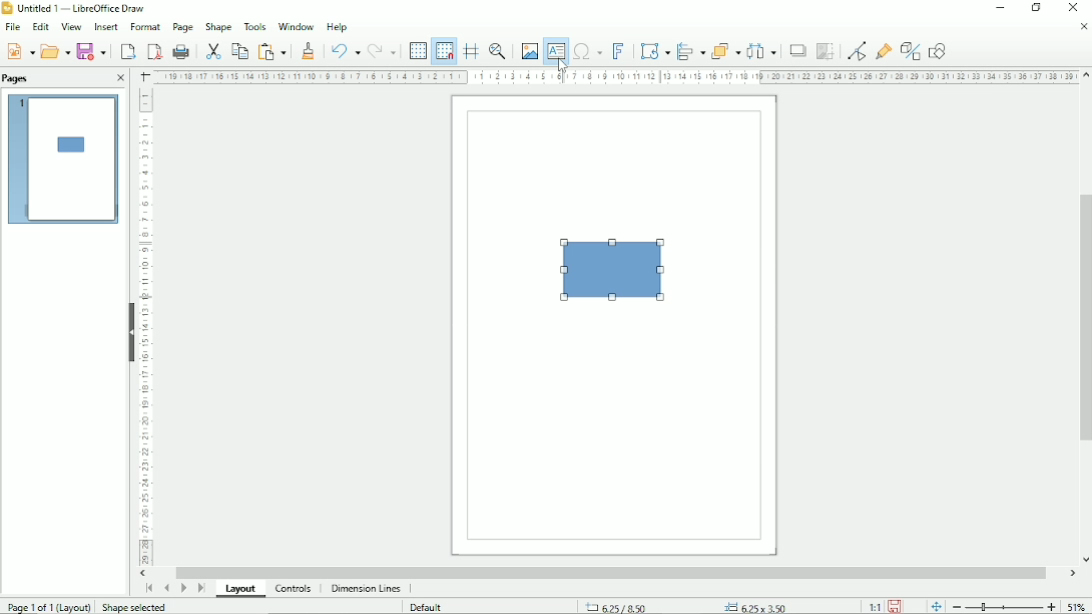 The image size is (1092, 614). What do you see at coordinates (1071, 8) in the screenshot?
I see `Close` at bounding box center [1071, 8].